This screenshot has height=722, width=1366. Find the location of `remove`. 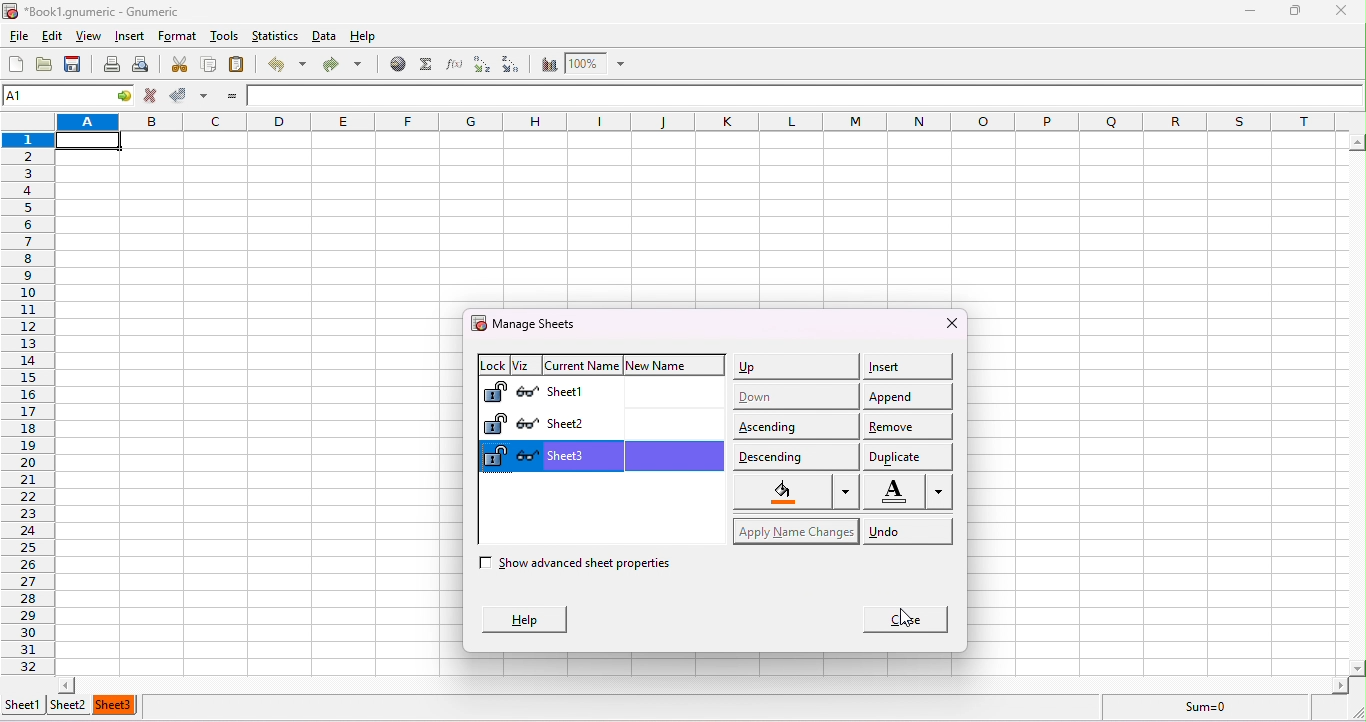

remove is located at coordinates (911, 424).